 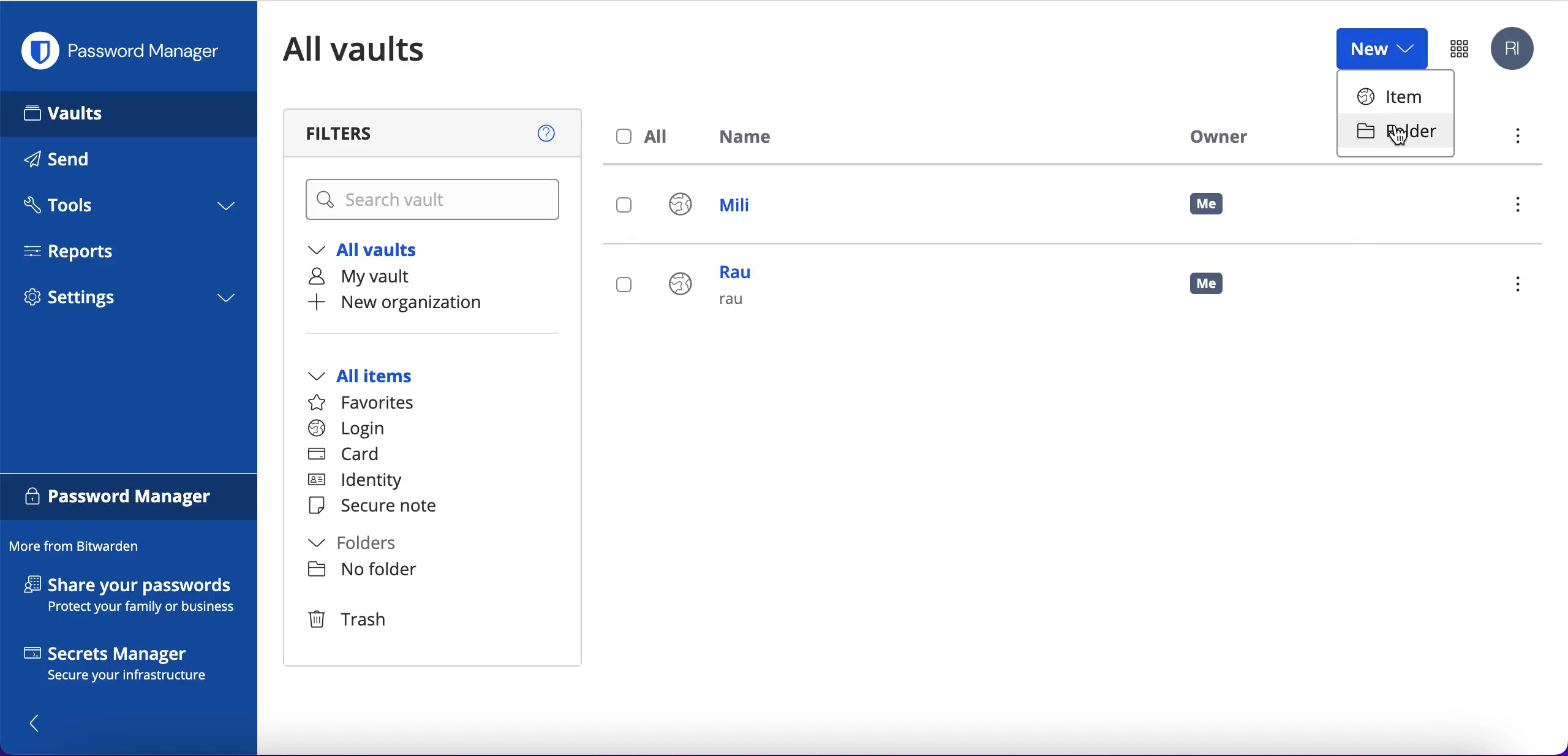 What do you see at coordinates (1216, 289) in the screenshot?
I see `me` at bounding box center [1216, 289].